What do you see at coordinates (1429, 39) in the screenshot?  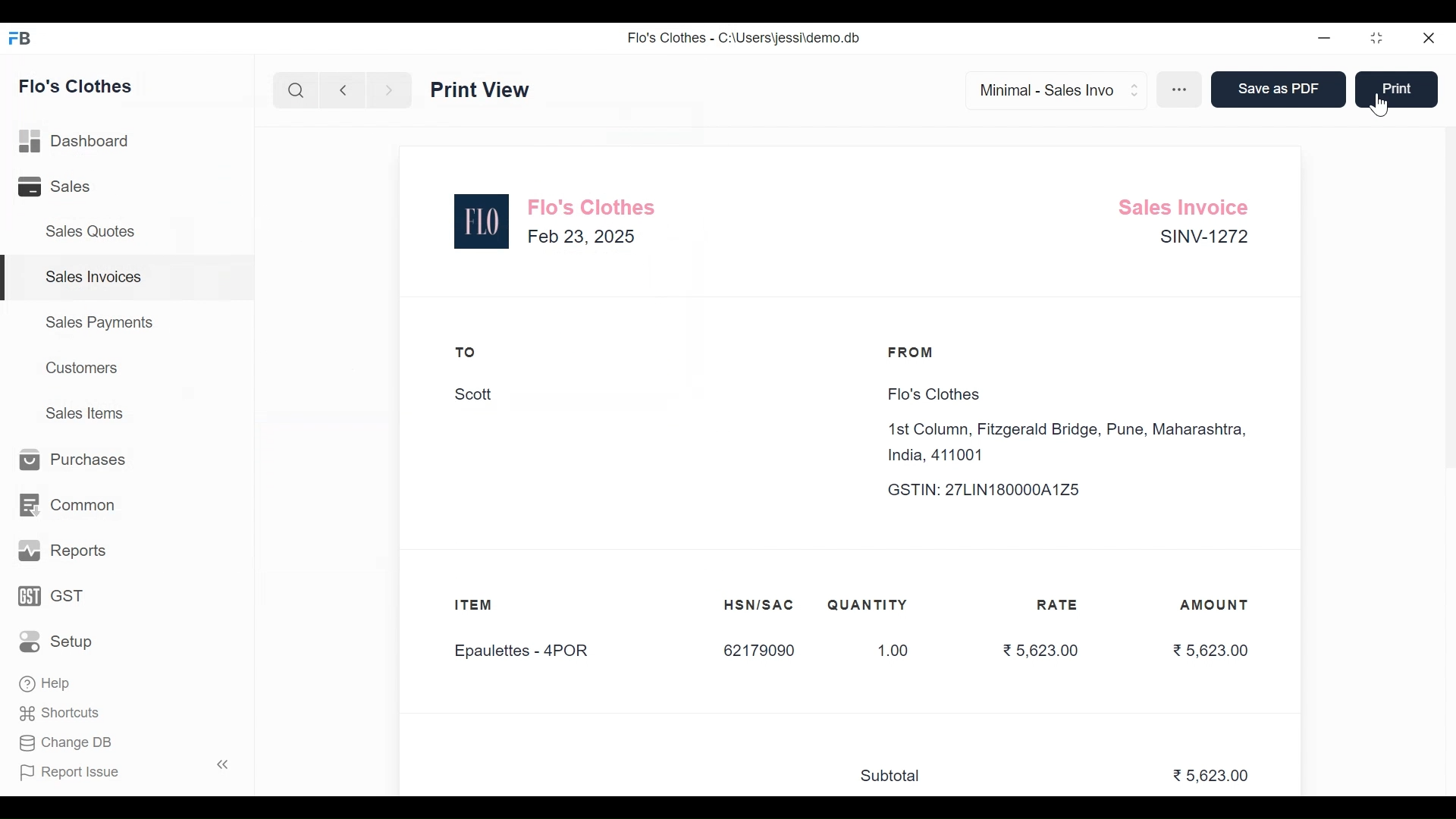 I see `Close` at bounding box center [1429, 39].